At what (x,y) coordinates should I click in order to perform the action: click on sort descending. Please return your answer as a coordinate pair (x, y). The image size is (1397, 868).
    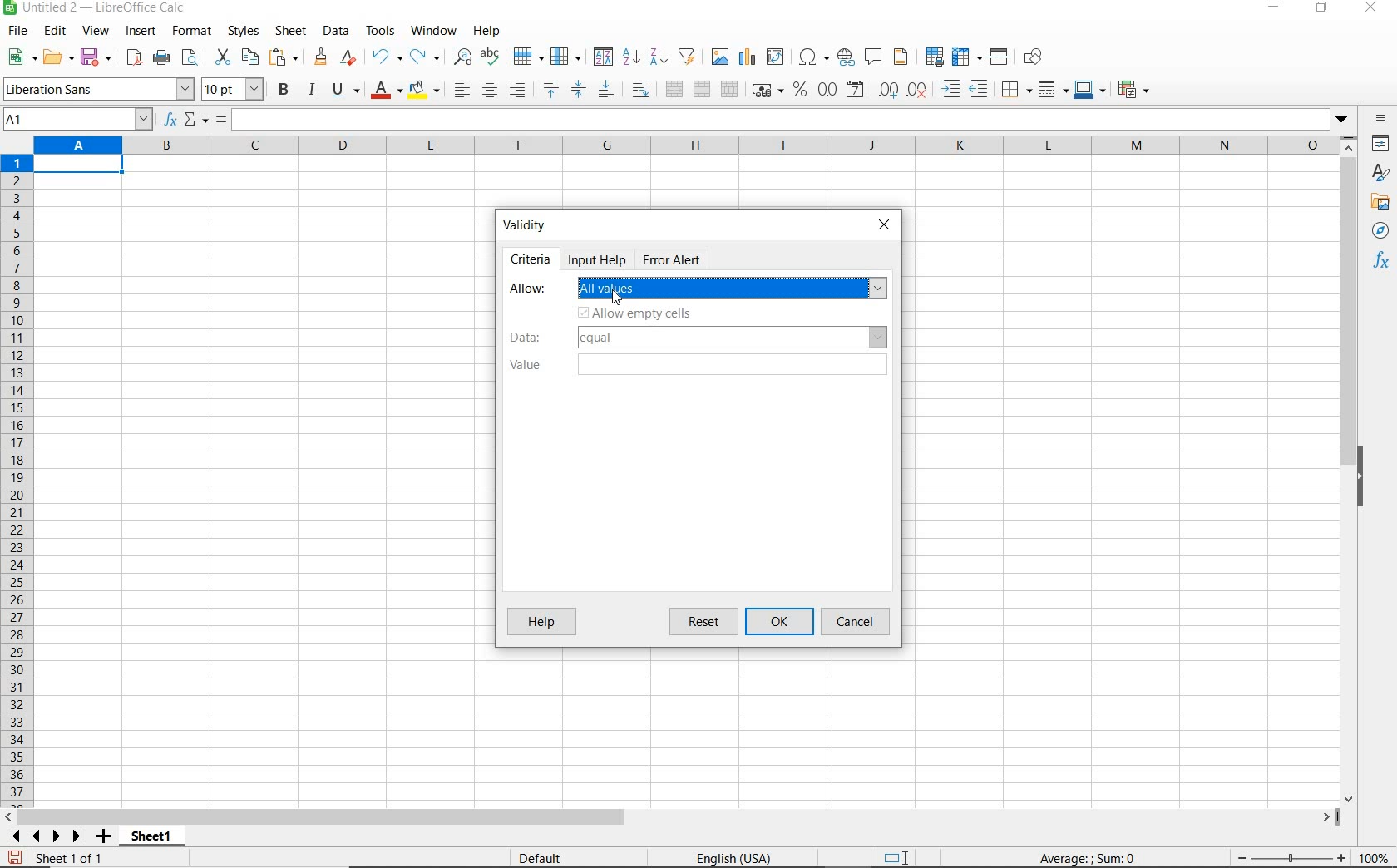
    Looking at the image, I should click on (659, 56).